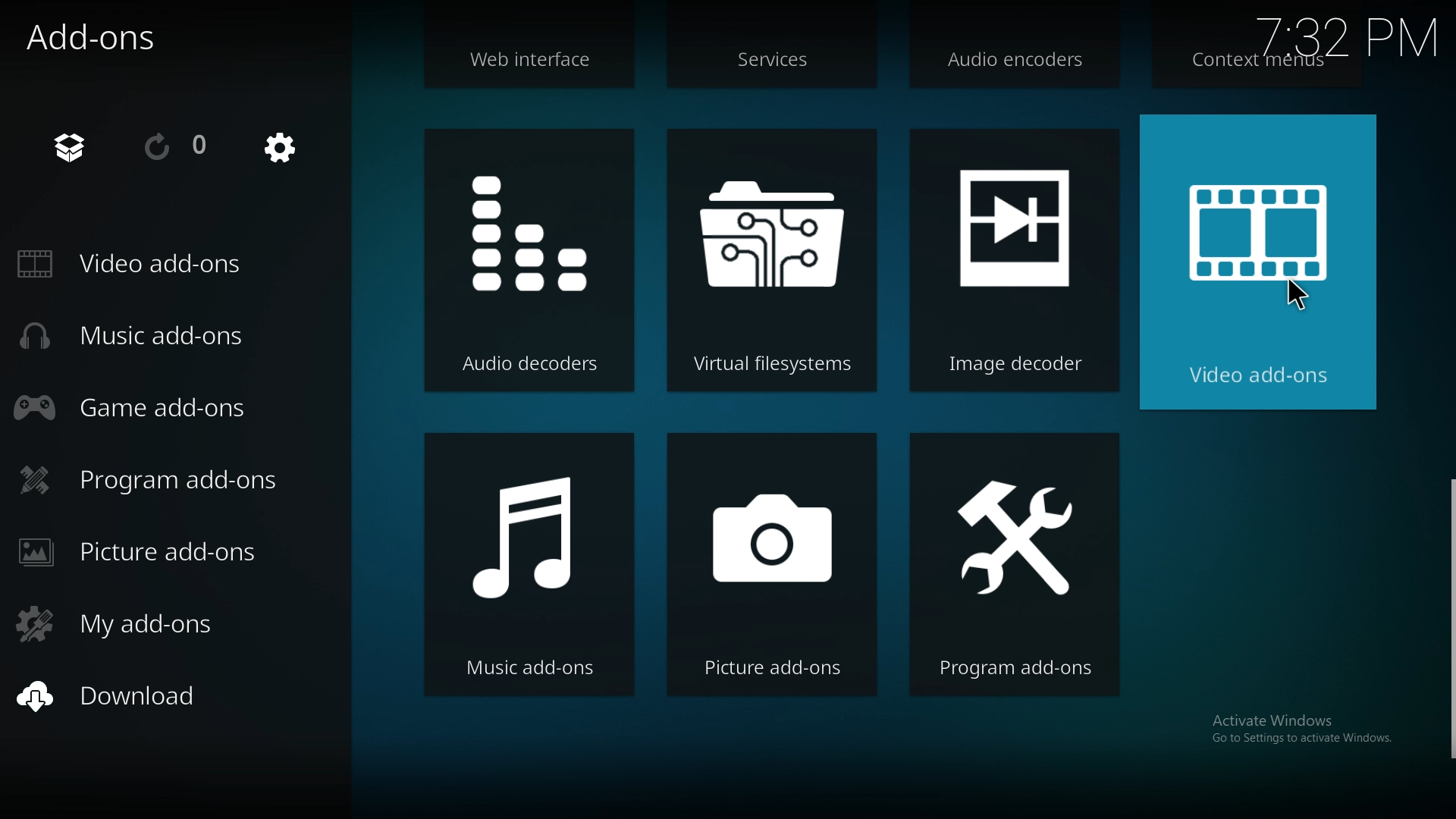 The width and height of the screenshot is (1456, 819). I want to click on Date, so click(1350, 31).